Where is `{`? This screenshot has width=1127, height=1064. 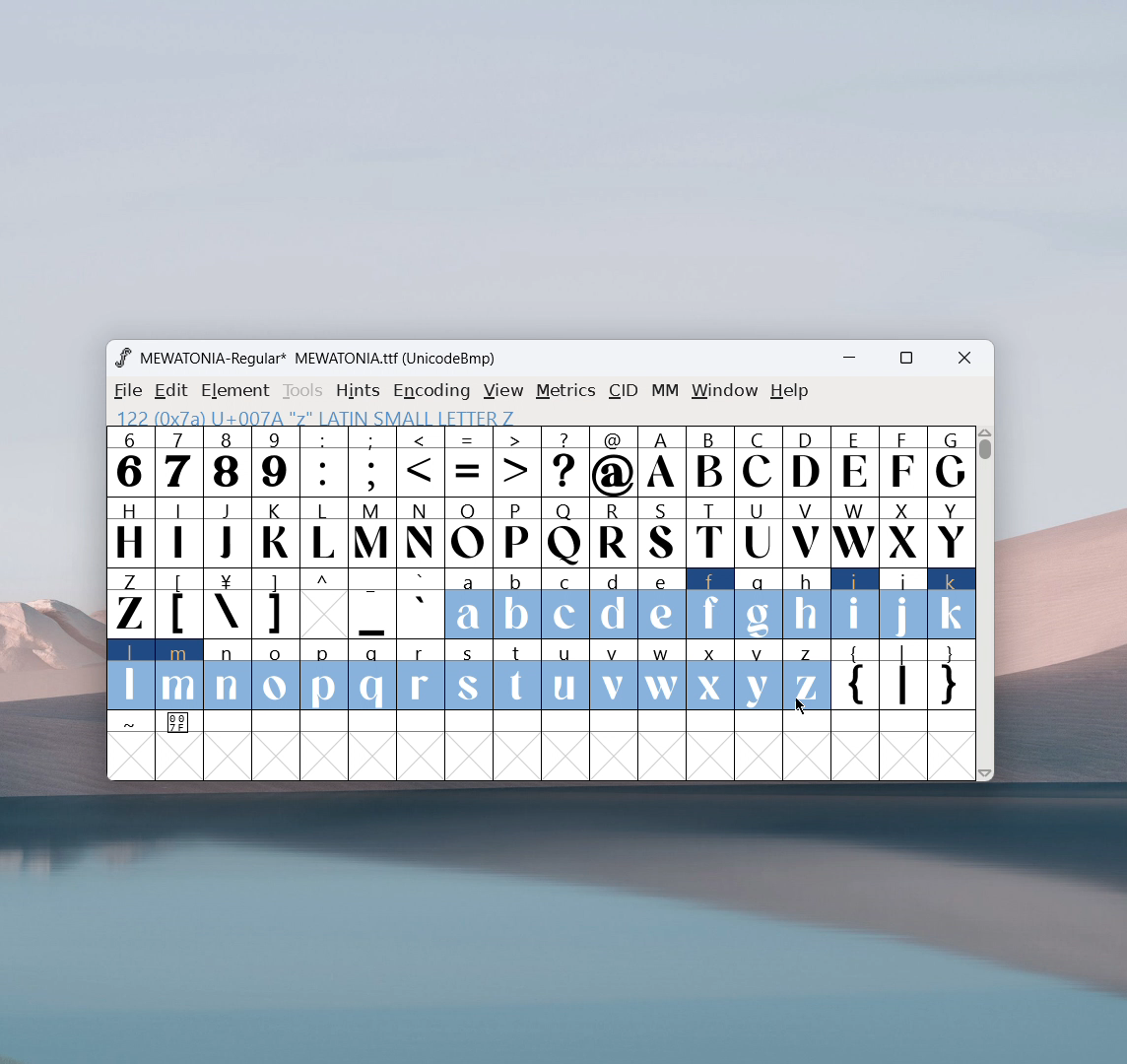
{ is located at coordinates (854, 677).